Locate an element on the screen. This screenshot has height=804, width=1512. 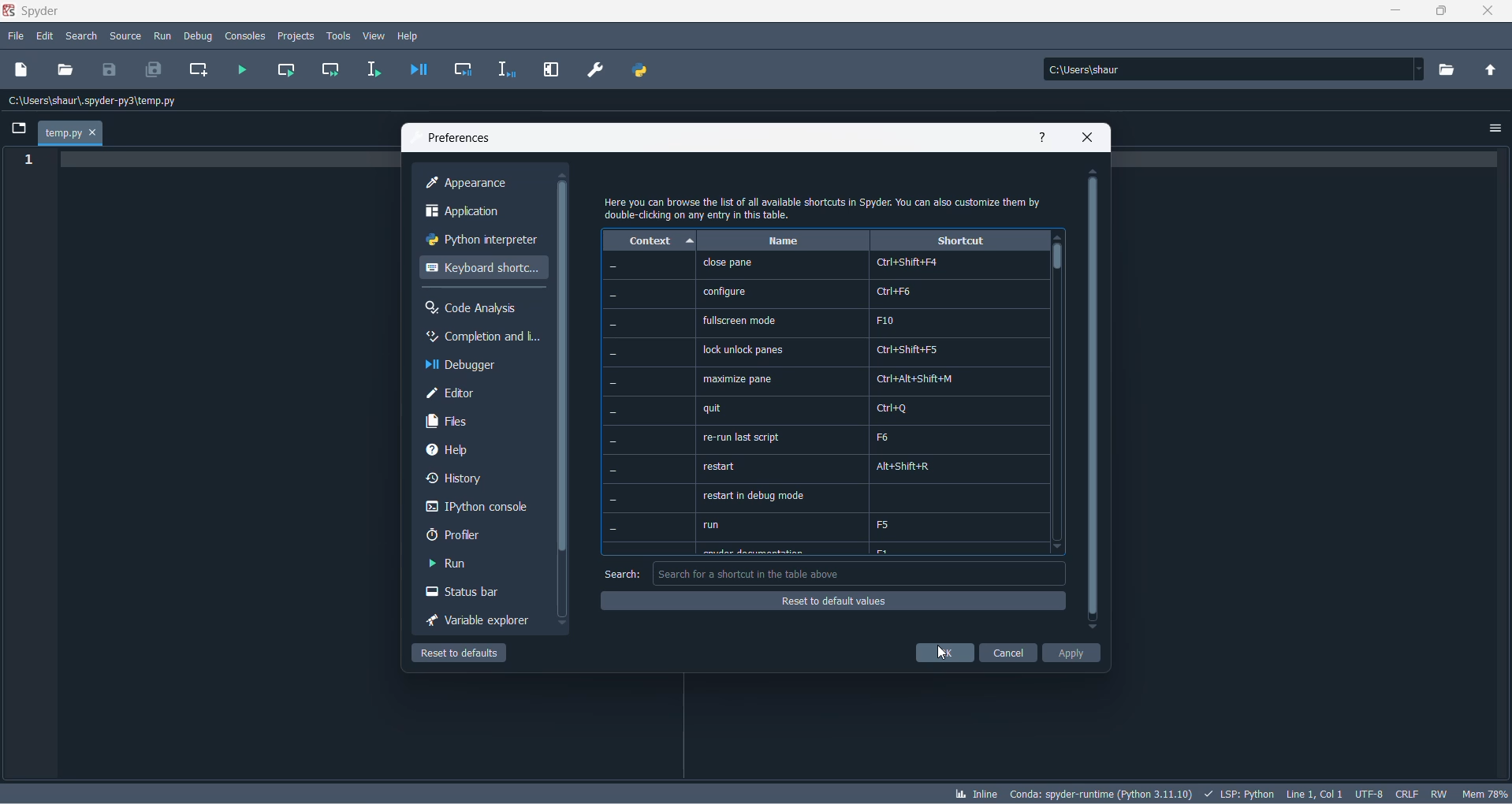
debug selection is located at coordinates (505, 71).